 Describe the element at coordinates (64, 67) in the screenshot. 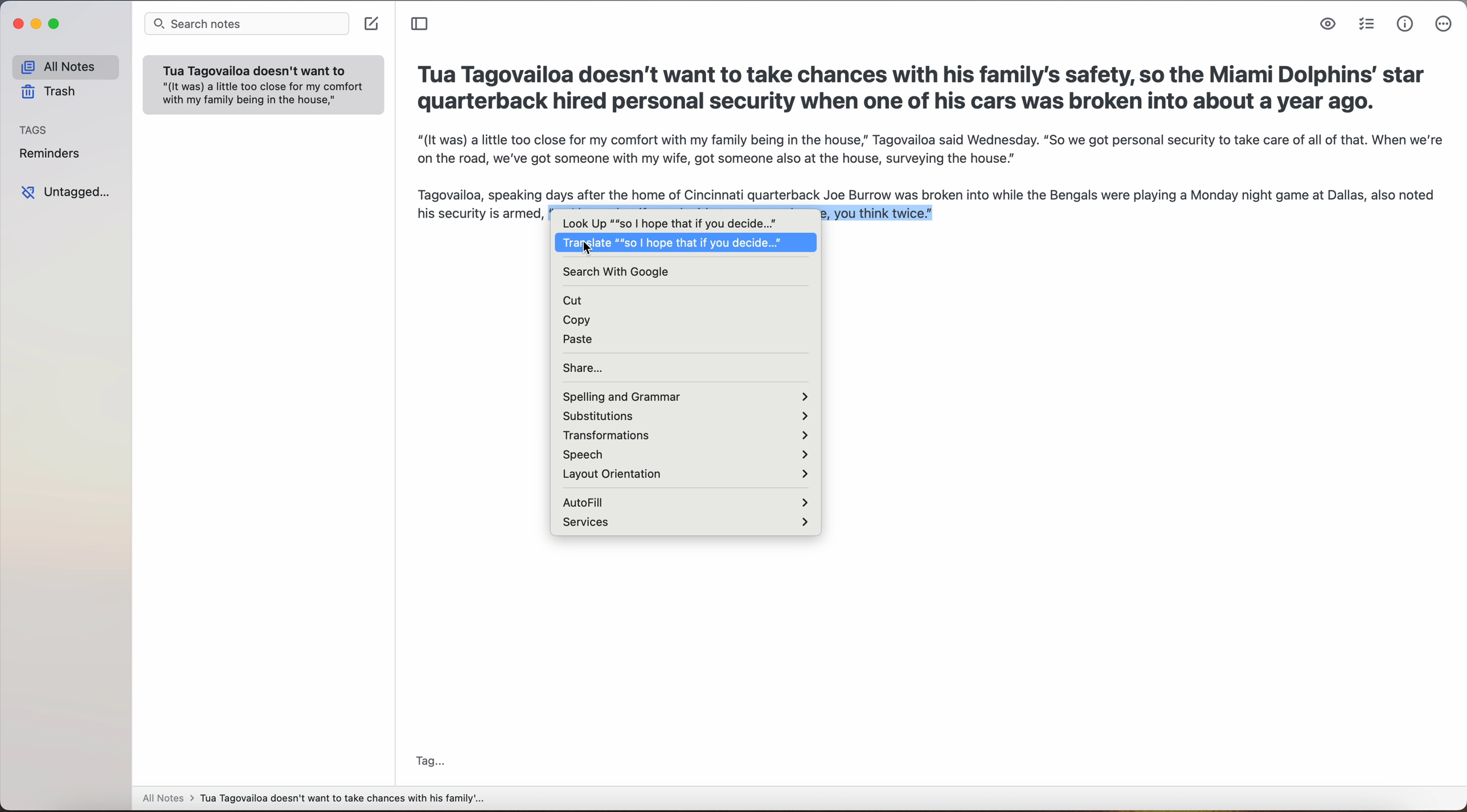

I see `all notes` at that location.